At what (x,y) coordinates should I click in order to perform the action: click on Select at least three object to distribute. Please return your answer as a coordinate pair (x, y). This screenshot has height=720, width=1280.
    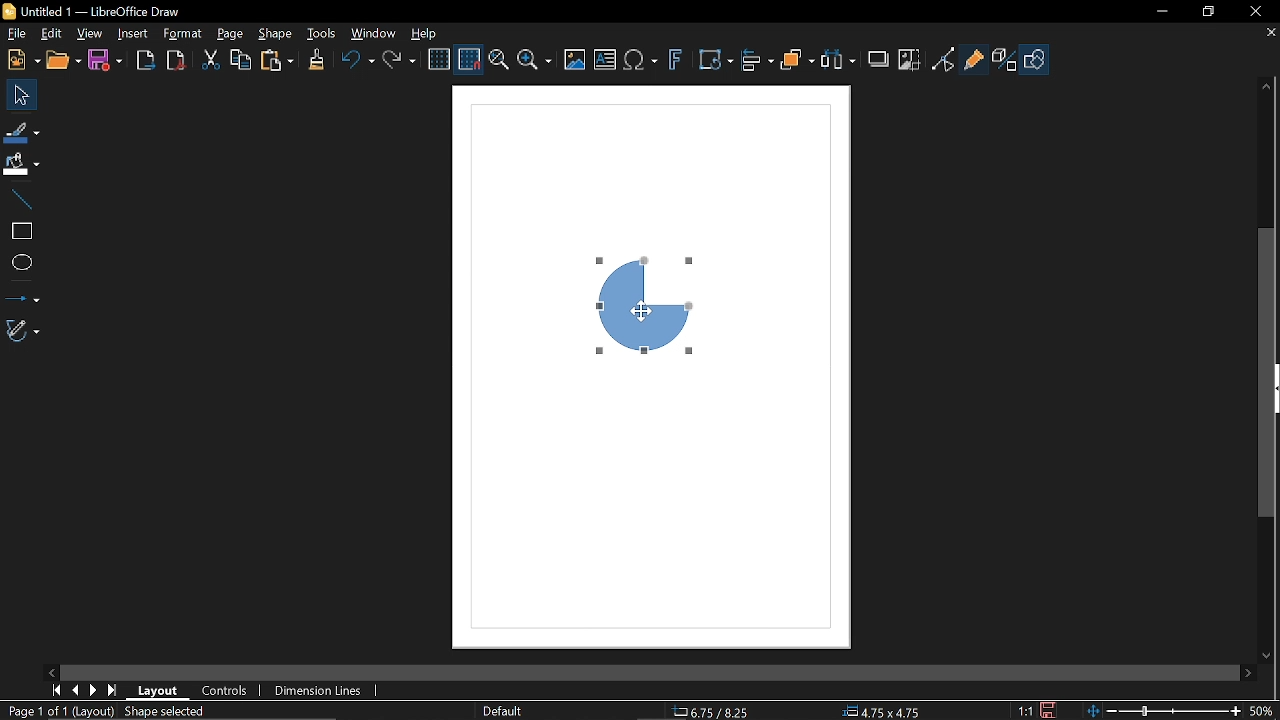
    Looking at the image, I should click on (838, 60).